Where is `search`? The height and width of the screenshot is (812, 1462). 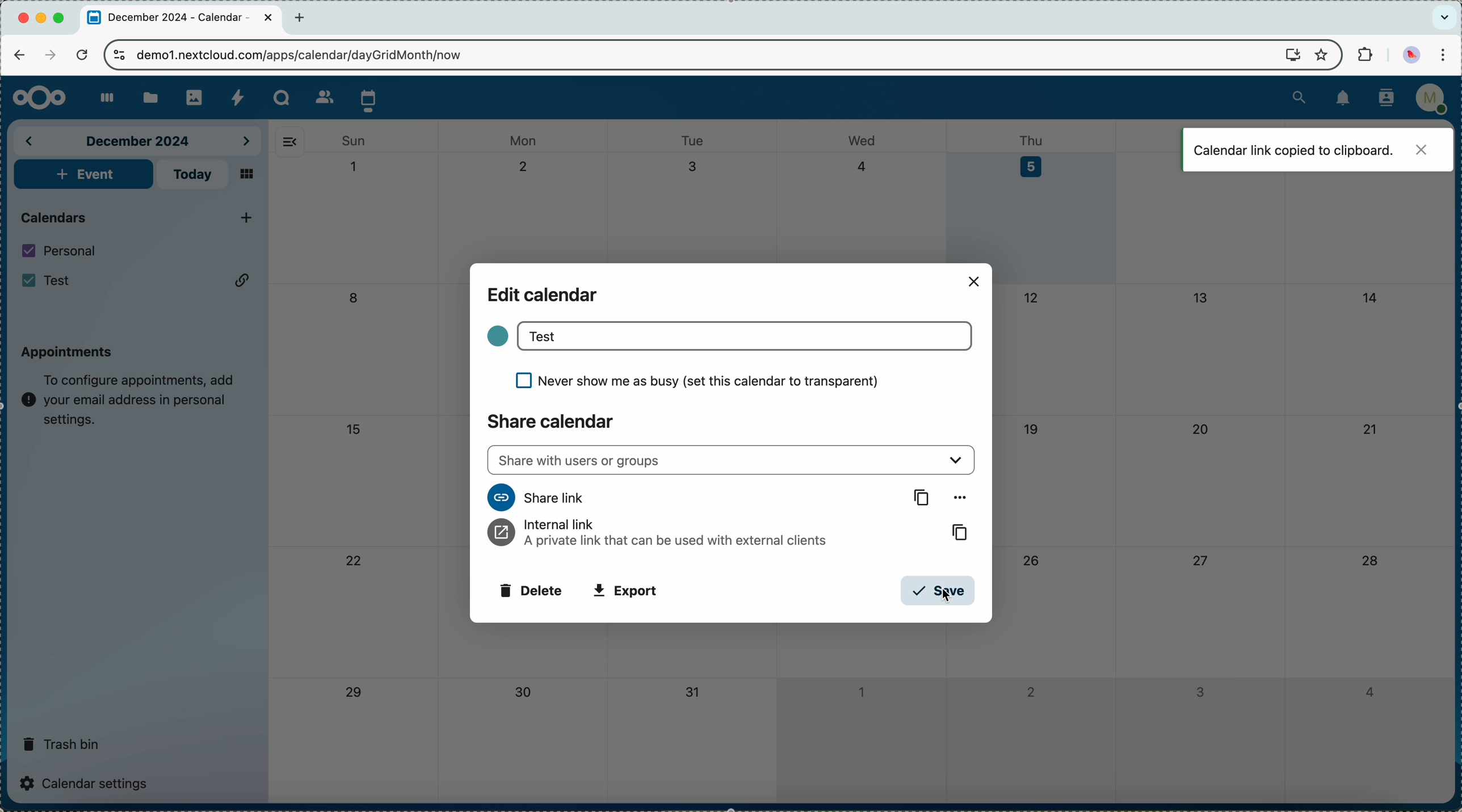
search is located at coordinates (1299, 96).